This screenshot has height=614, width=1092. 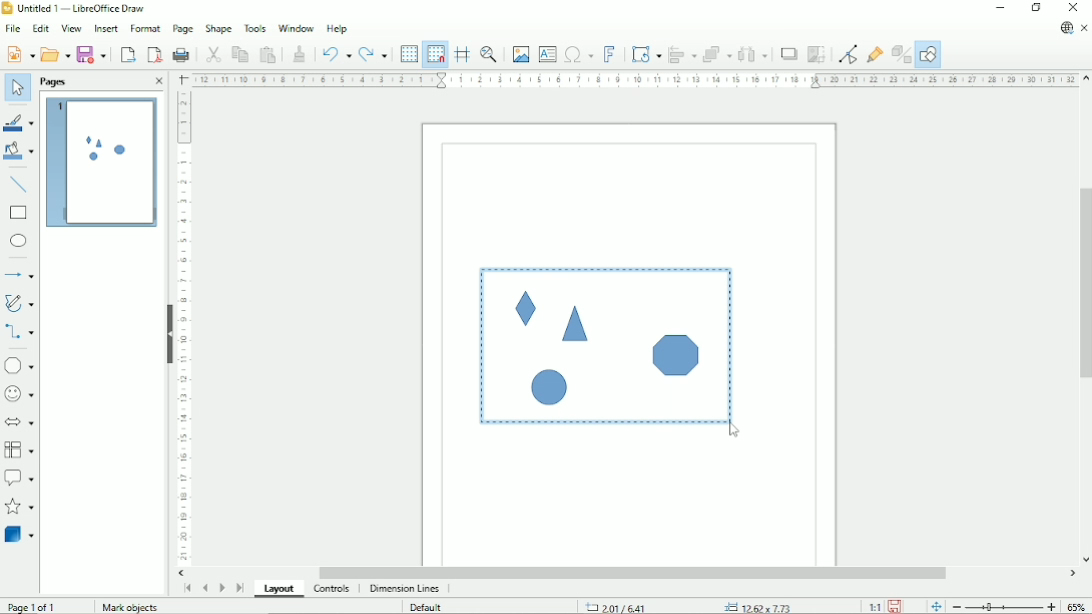 What do you see at coordinates (1078, 606) in the screenshot?
I see `Zoom factor` at bounding box center [1078, 606].